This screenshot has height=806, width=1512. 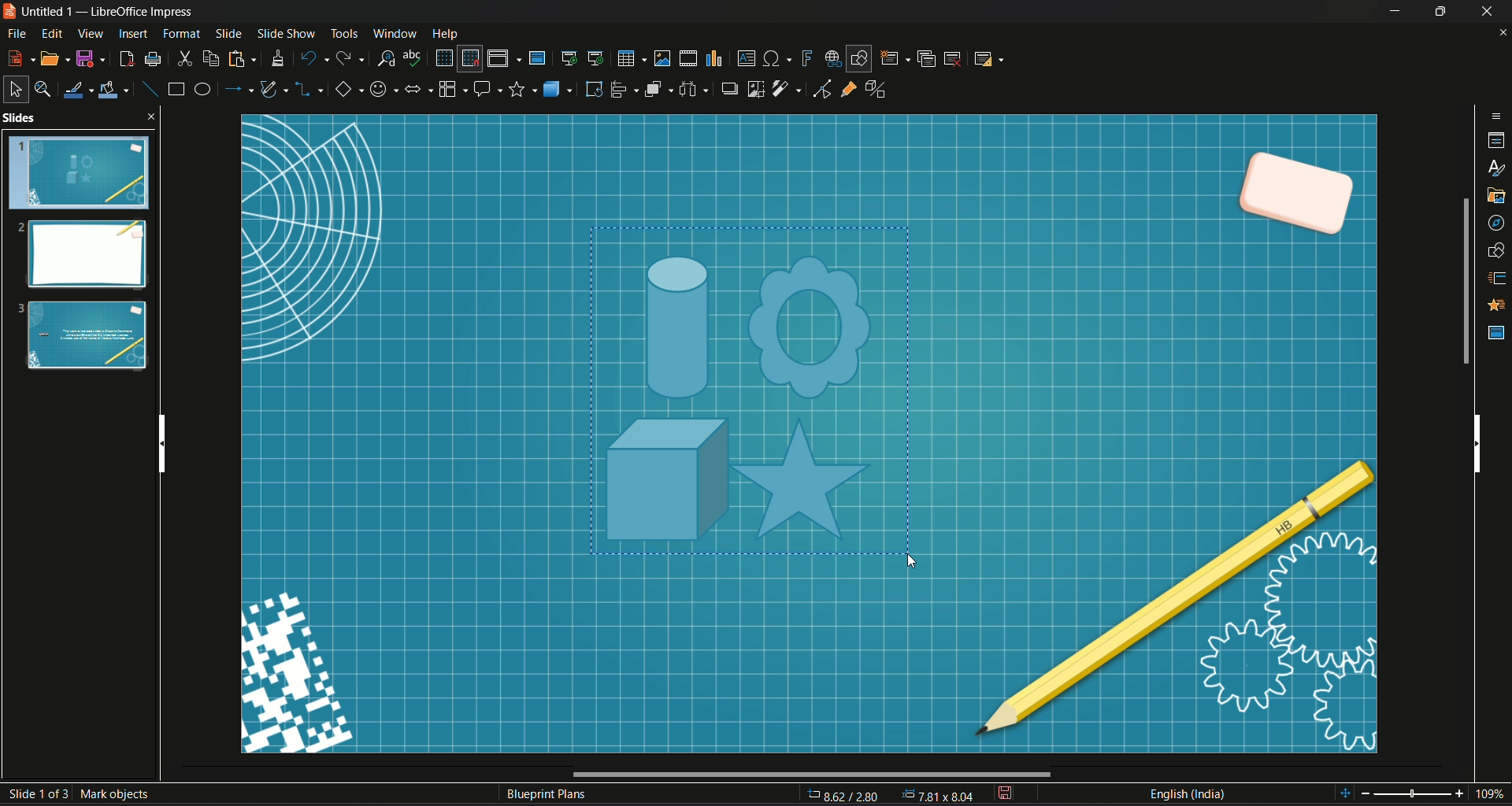 What do you see at coordinates (201, 88) in the screenshot?
I see `ellipse` at bounding box center [201, 88].